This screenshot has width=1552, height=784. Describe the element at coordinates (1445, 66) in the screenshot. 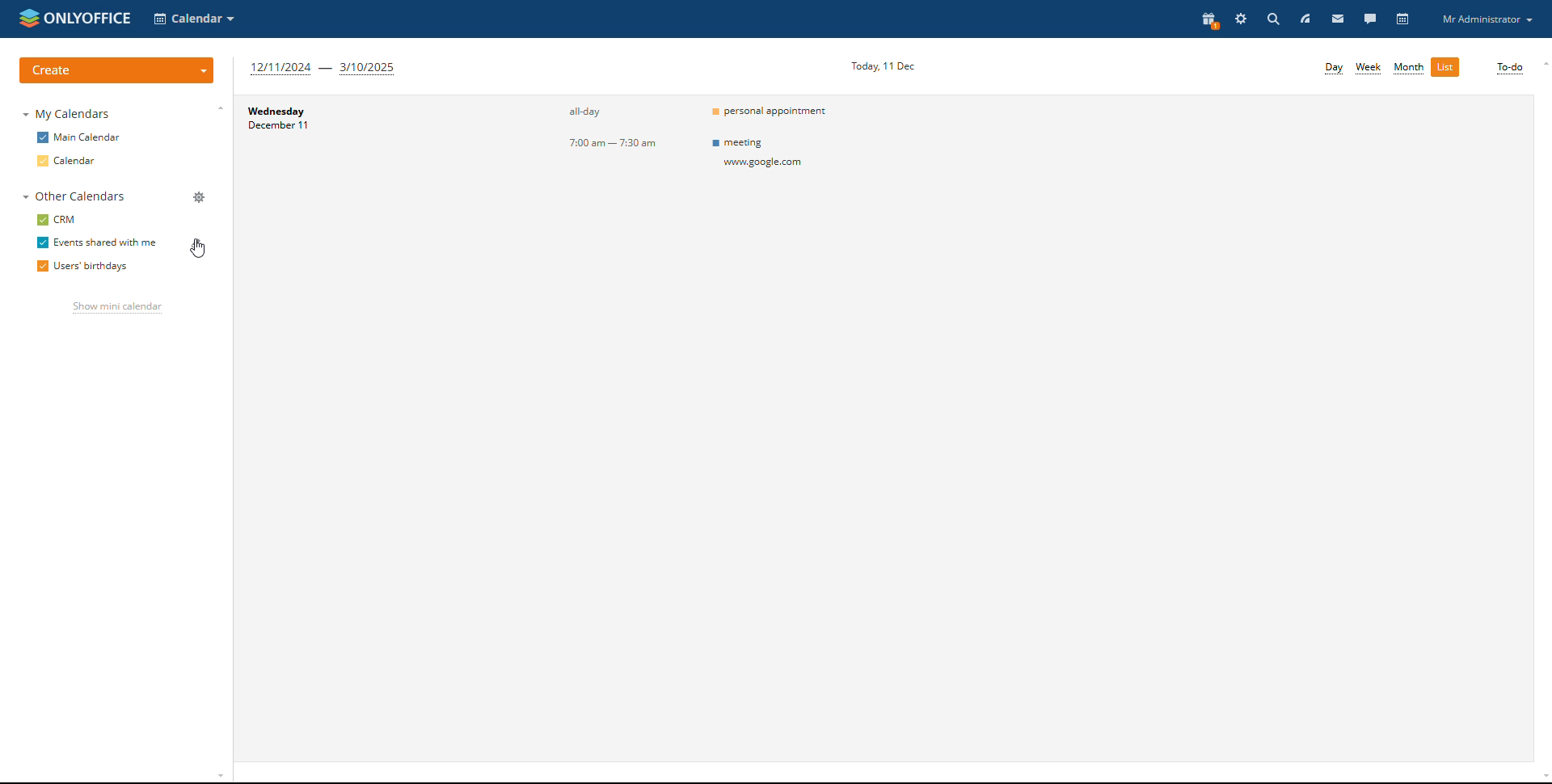

I see `list view` at that location.